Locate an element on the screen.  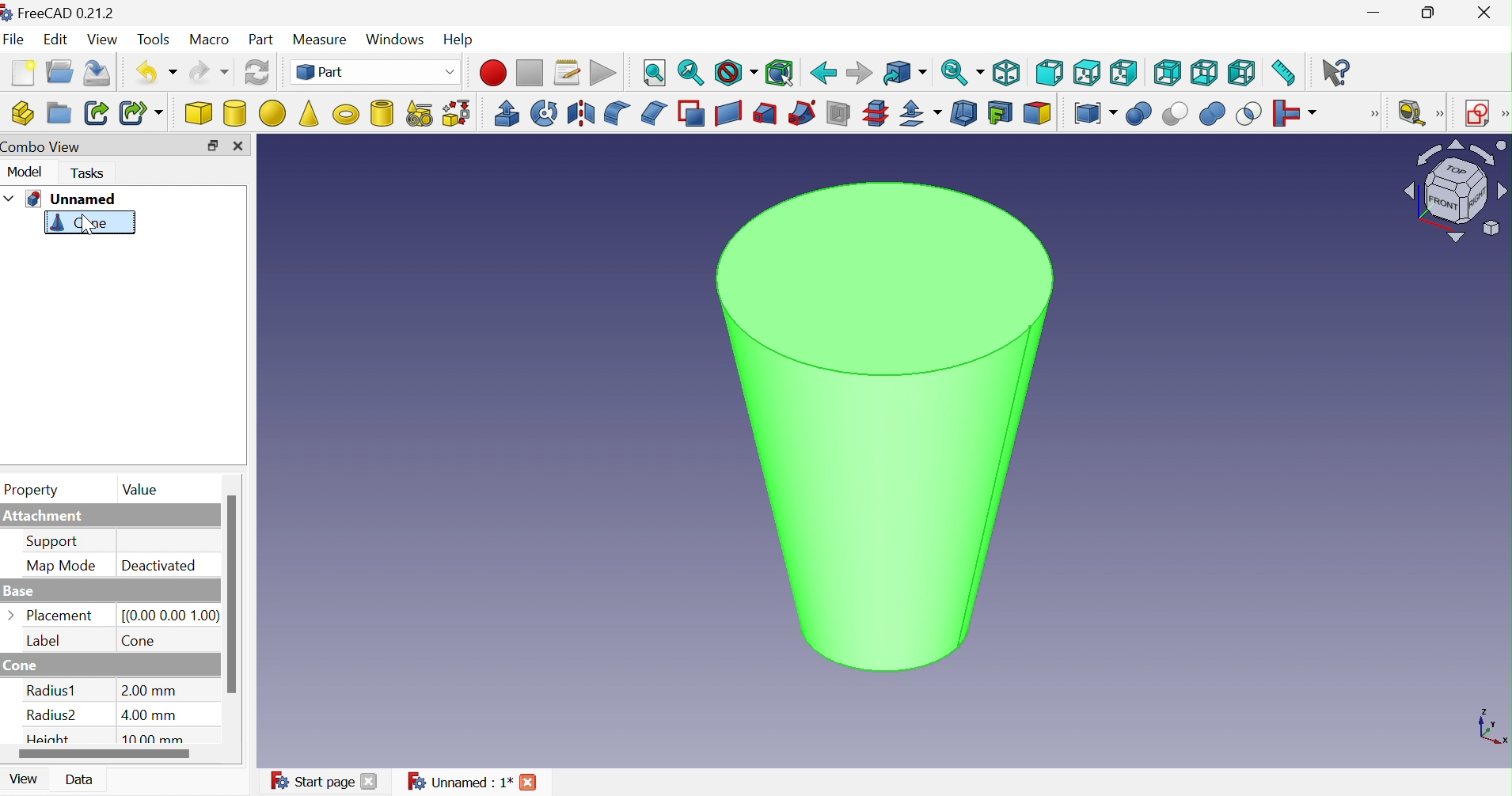
Make face from wires is located at coordinates (691, 113).